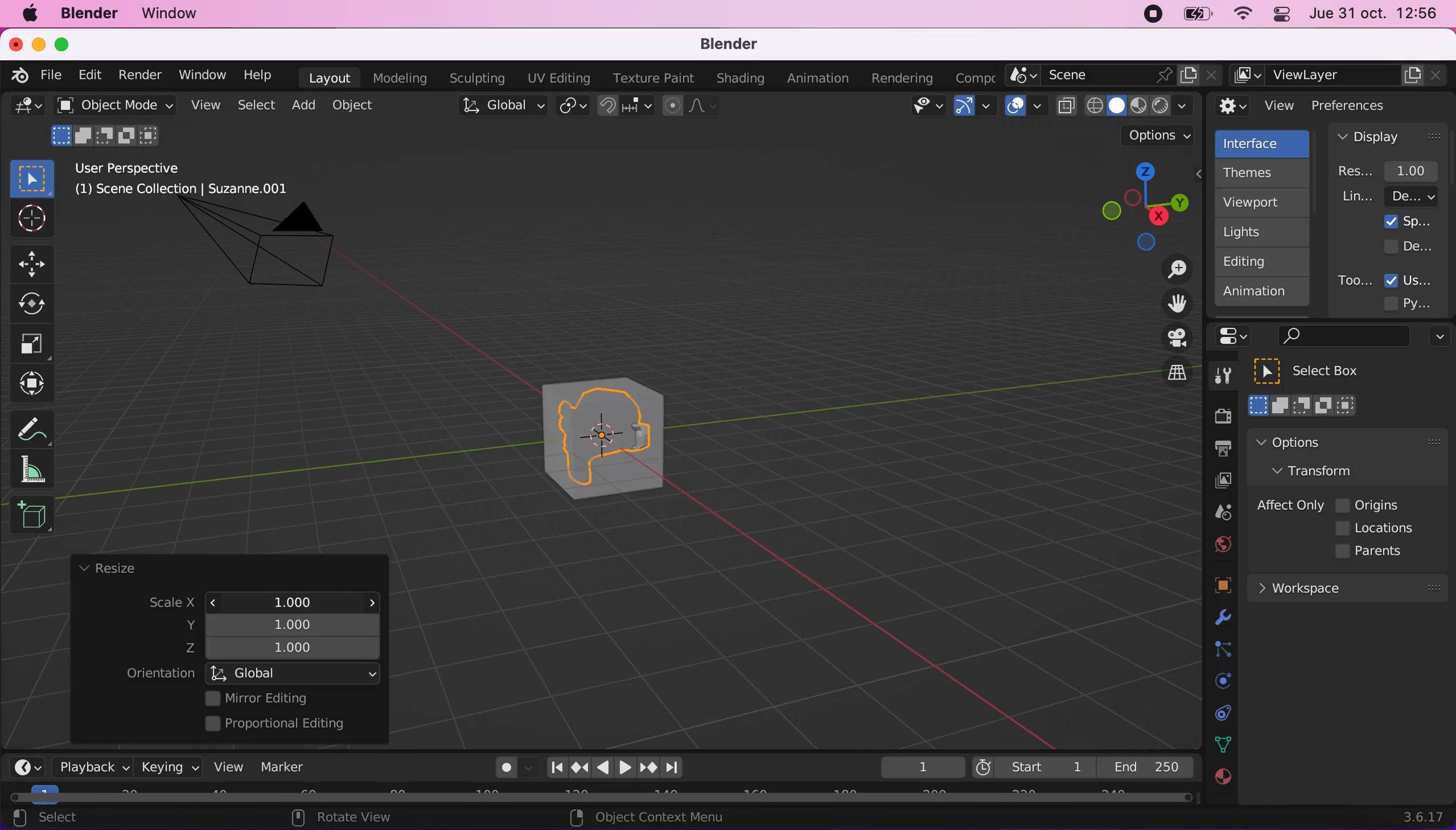 The height and width of the screenshot is (830, 1456). Describe the element at coordinates (32, 344) in the screenshot. I see `` at that location.